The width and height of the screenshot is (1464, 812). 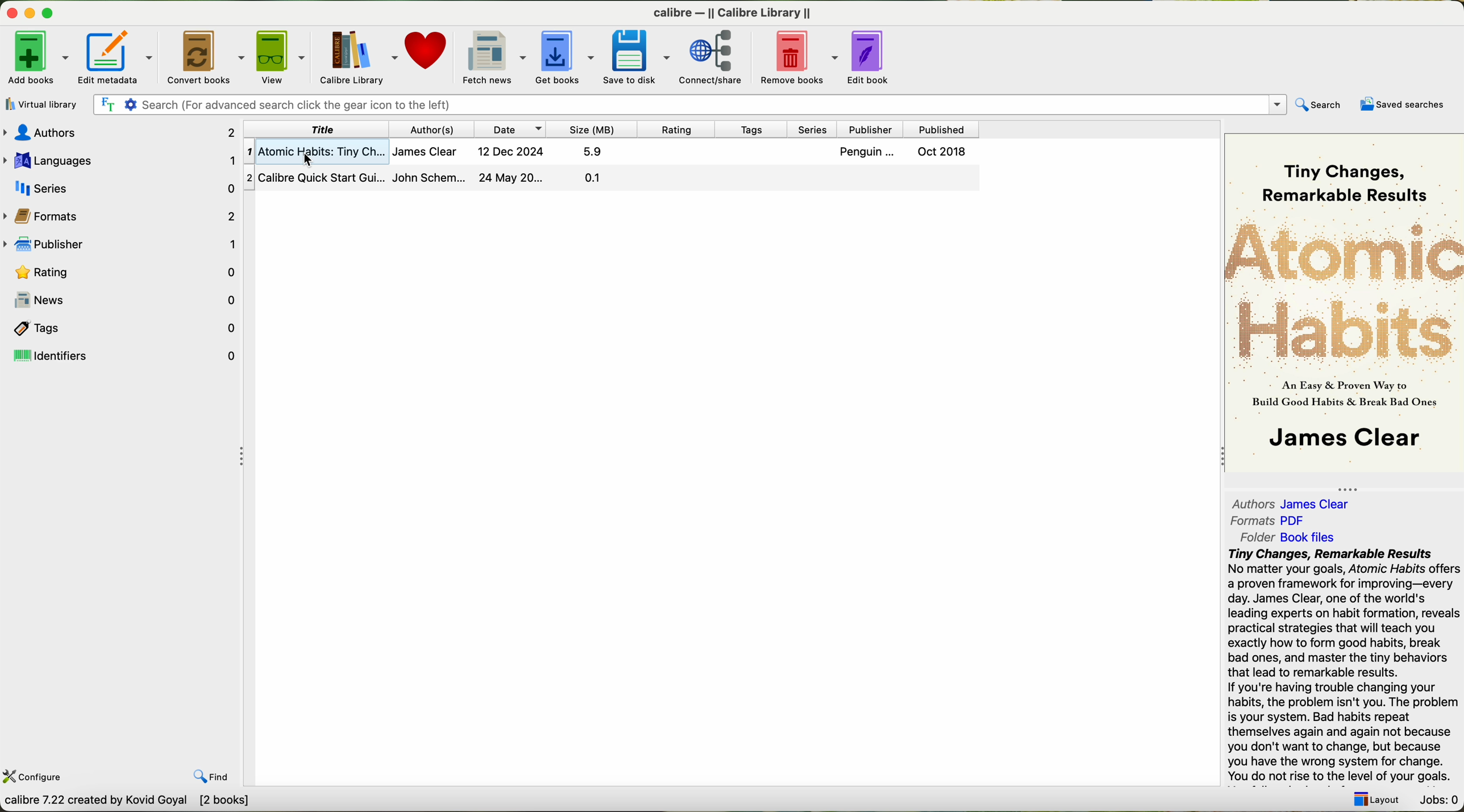 What do you see at coordinates (1343, 305) in the screenshot?
I see `book cover preview` at bounding box center [1343, 305].